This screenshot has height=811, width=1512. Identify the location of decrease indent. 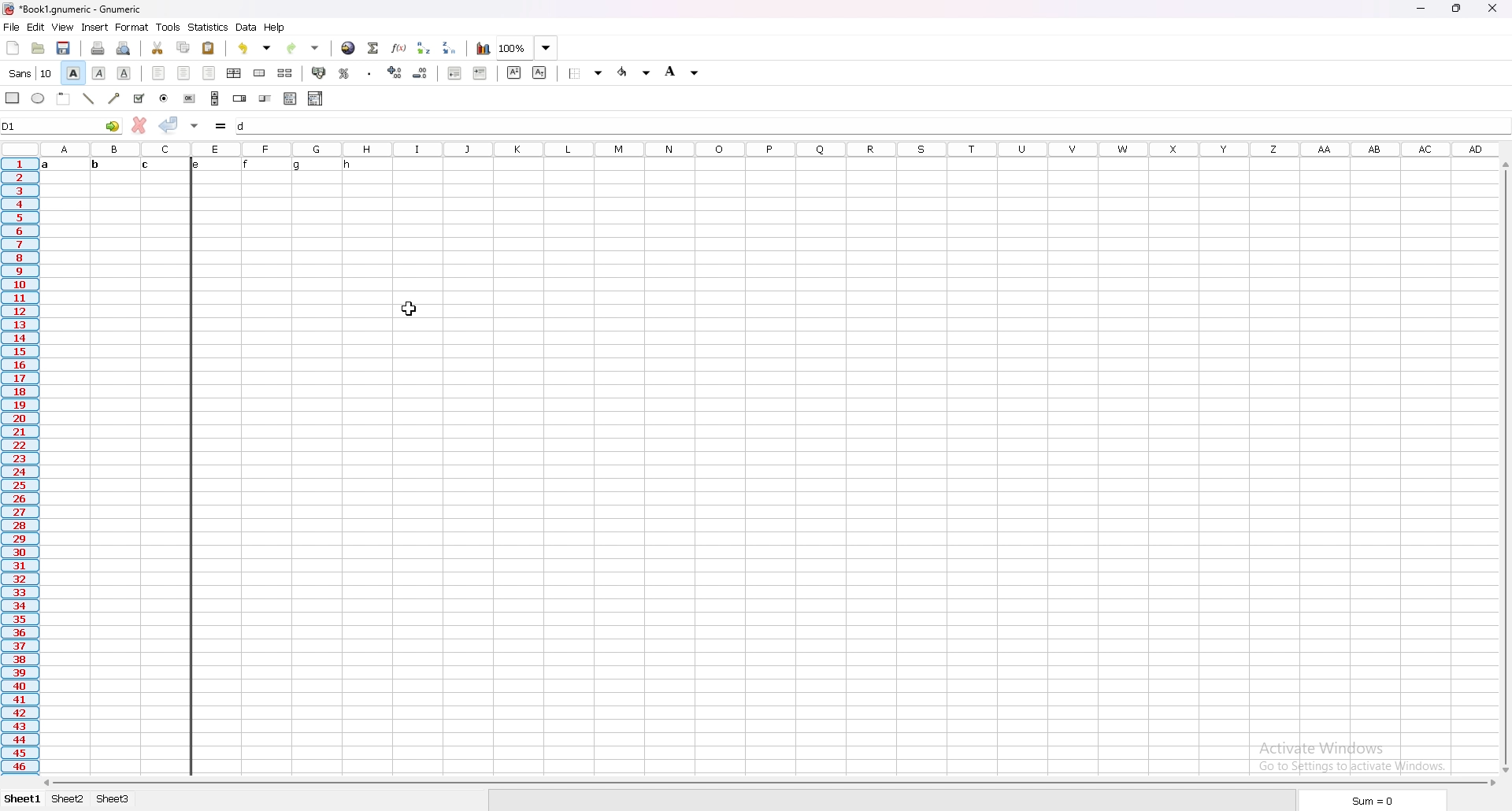
(455, 72).